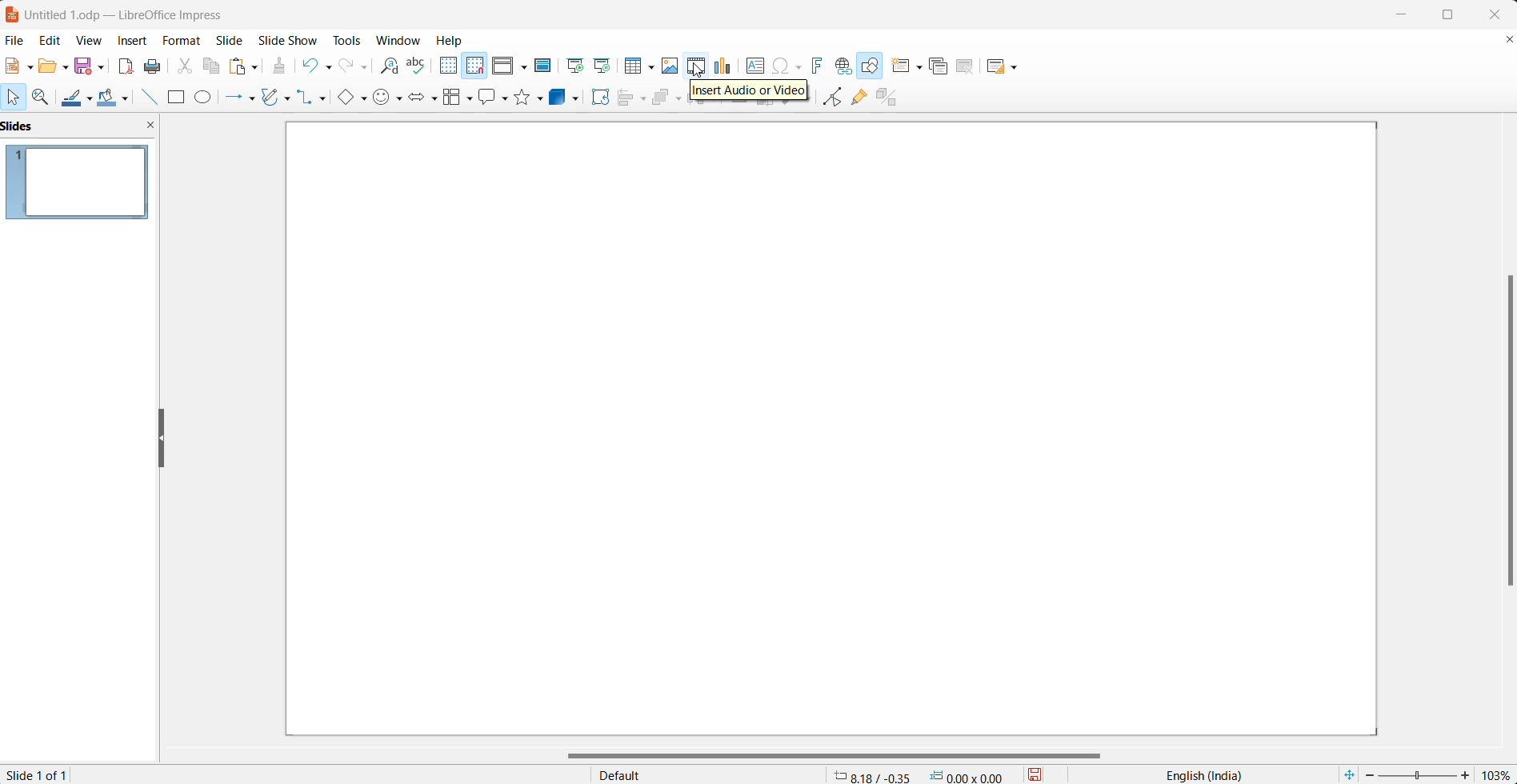 The width and height of the screenshot is (1517, 784). Describe the element at coordinates (12, 15) in the screenshot. I see `logo` at that location.